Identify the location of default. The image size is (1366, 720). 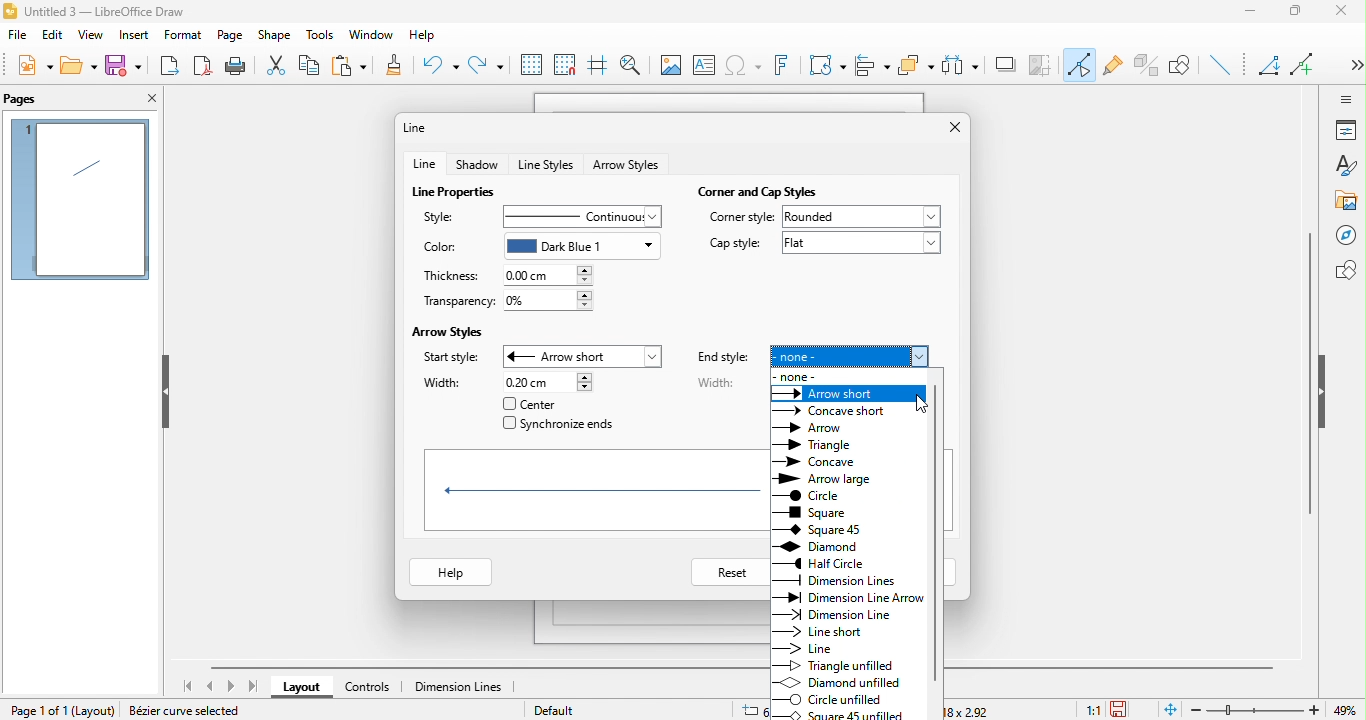
(578, 711).